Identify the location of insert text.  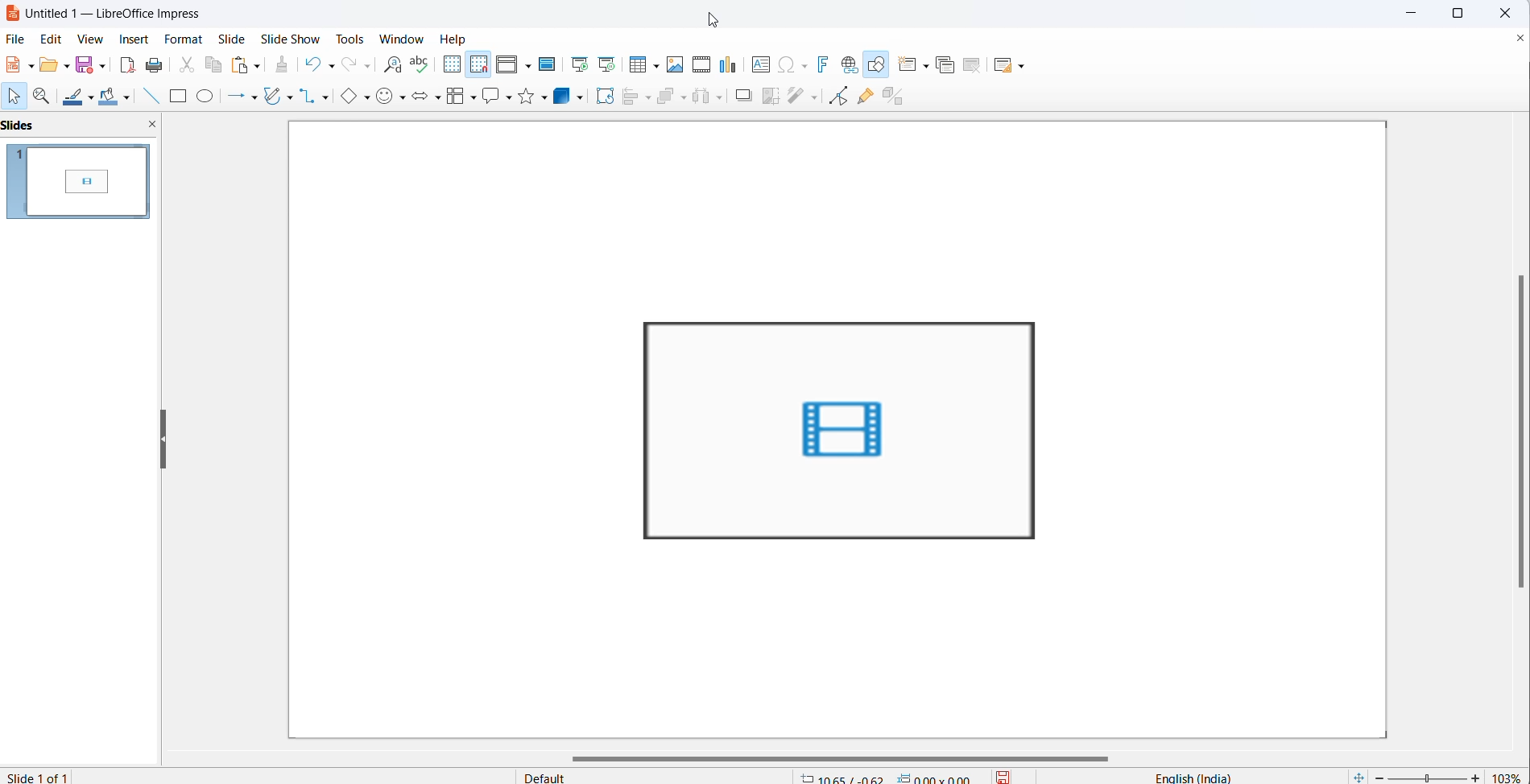
(758, 67).